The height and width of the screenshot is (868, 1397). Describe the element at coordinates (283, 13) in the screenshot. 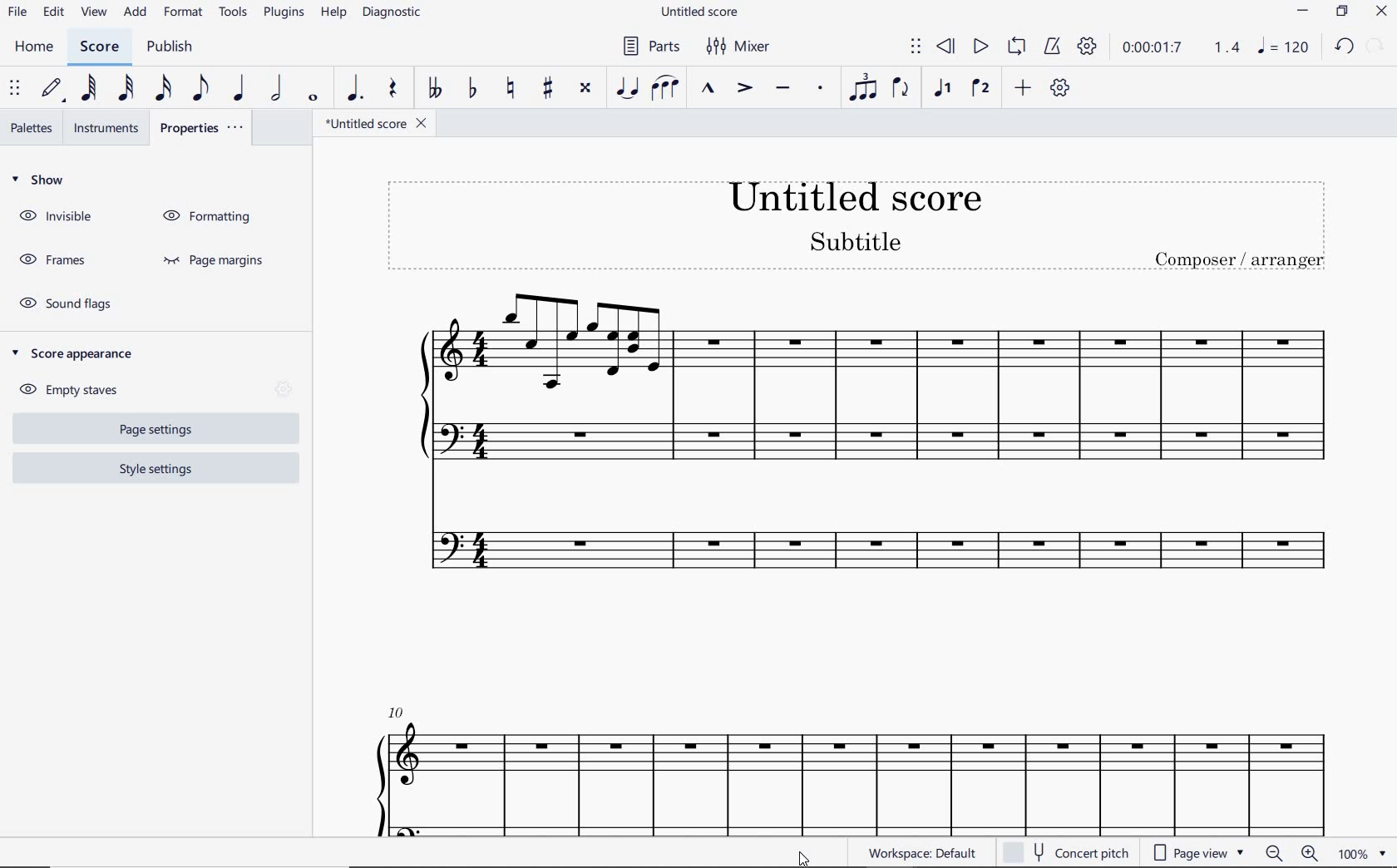

I see `PLUGINS` at that location.